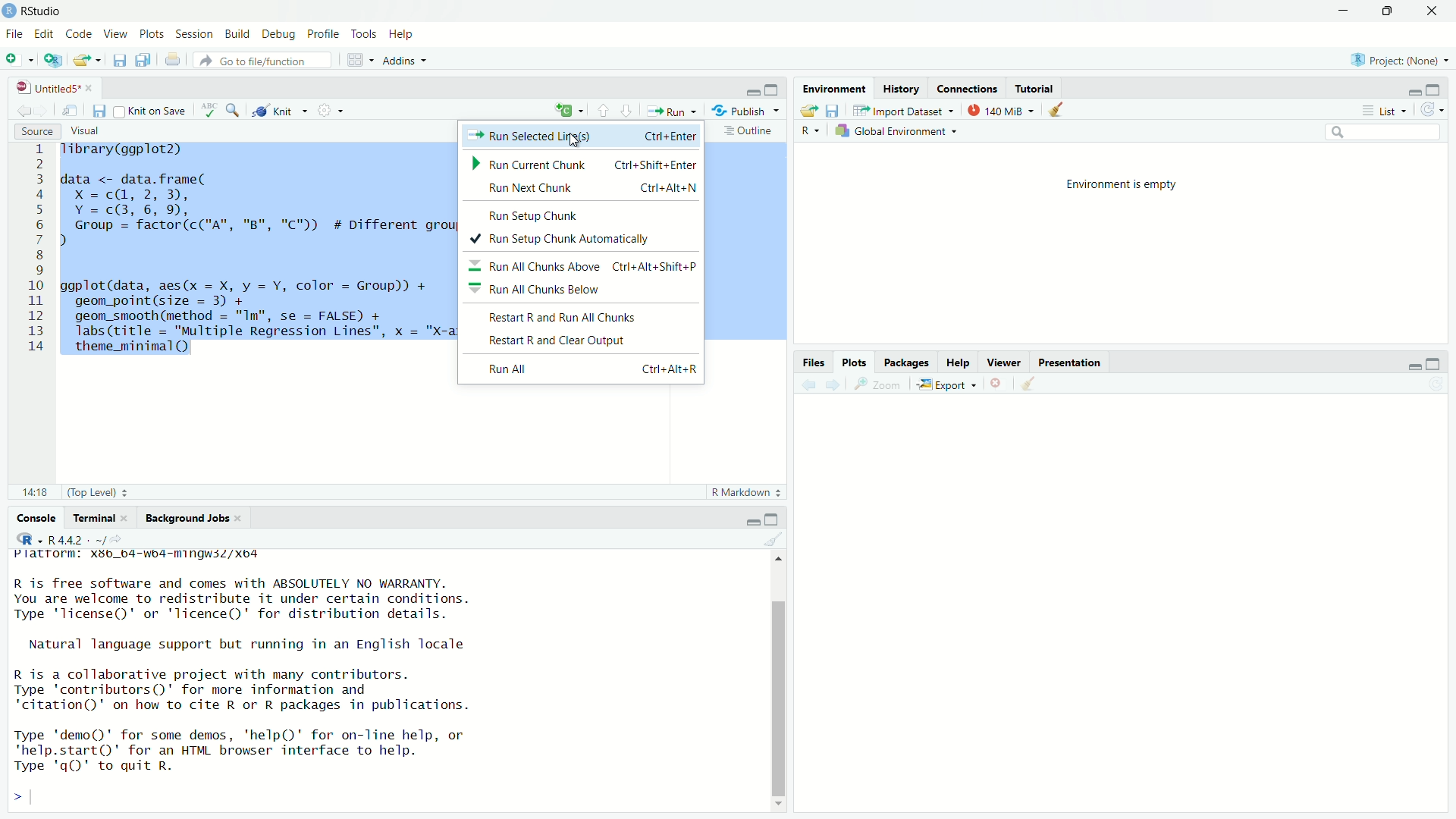  Describe the element at coordinates (1382, 109) in the screenshot. I see `List` at that location.